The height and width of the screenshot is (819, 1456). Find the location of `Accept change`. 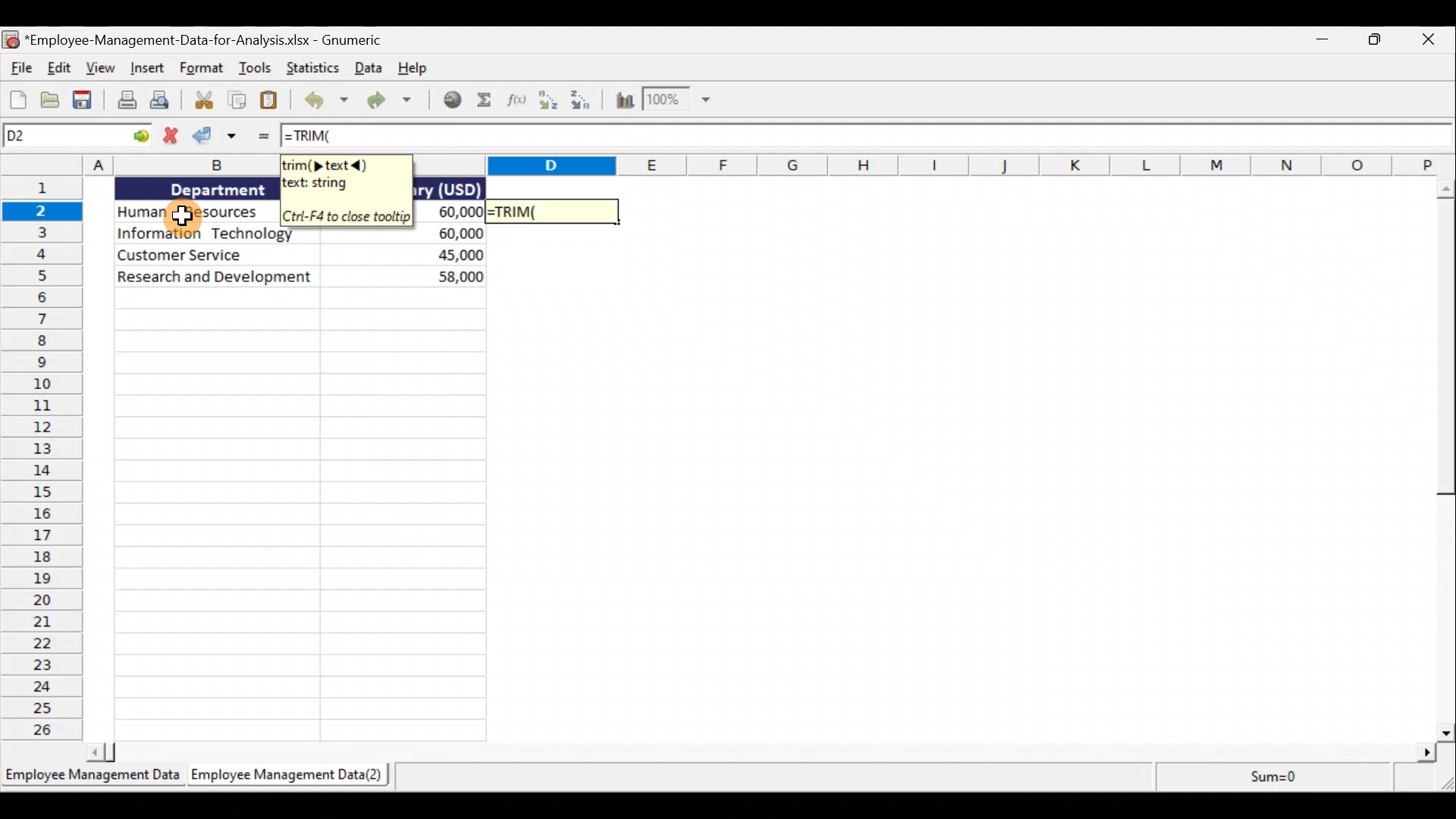

Accept change is located at coordinates (220, 136).